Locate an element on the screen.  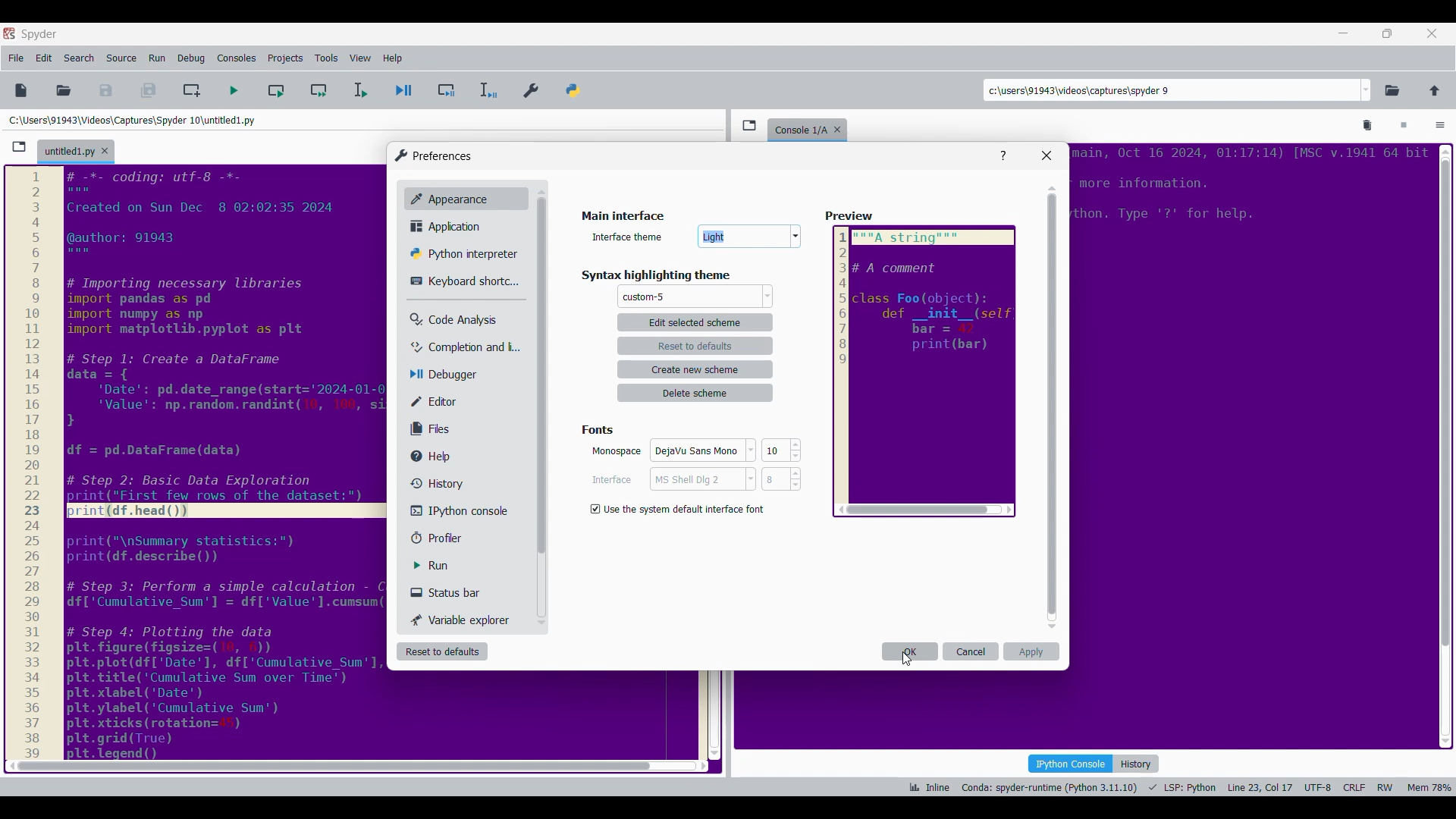
Source menu is located at coordinates (121, 58).